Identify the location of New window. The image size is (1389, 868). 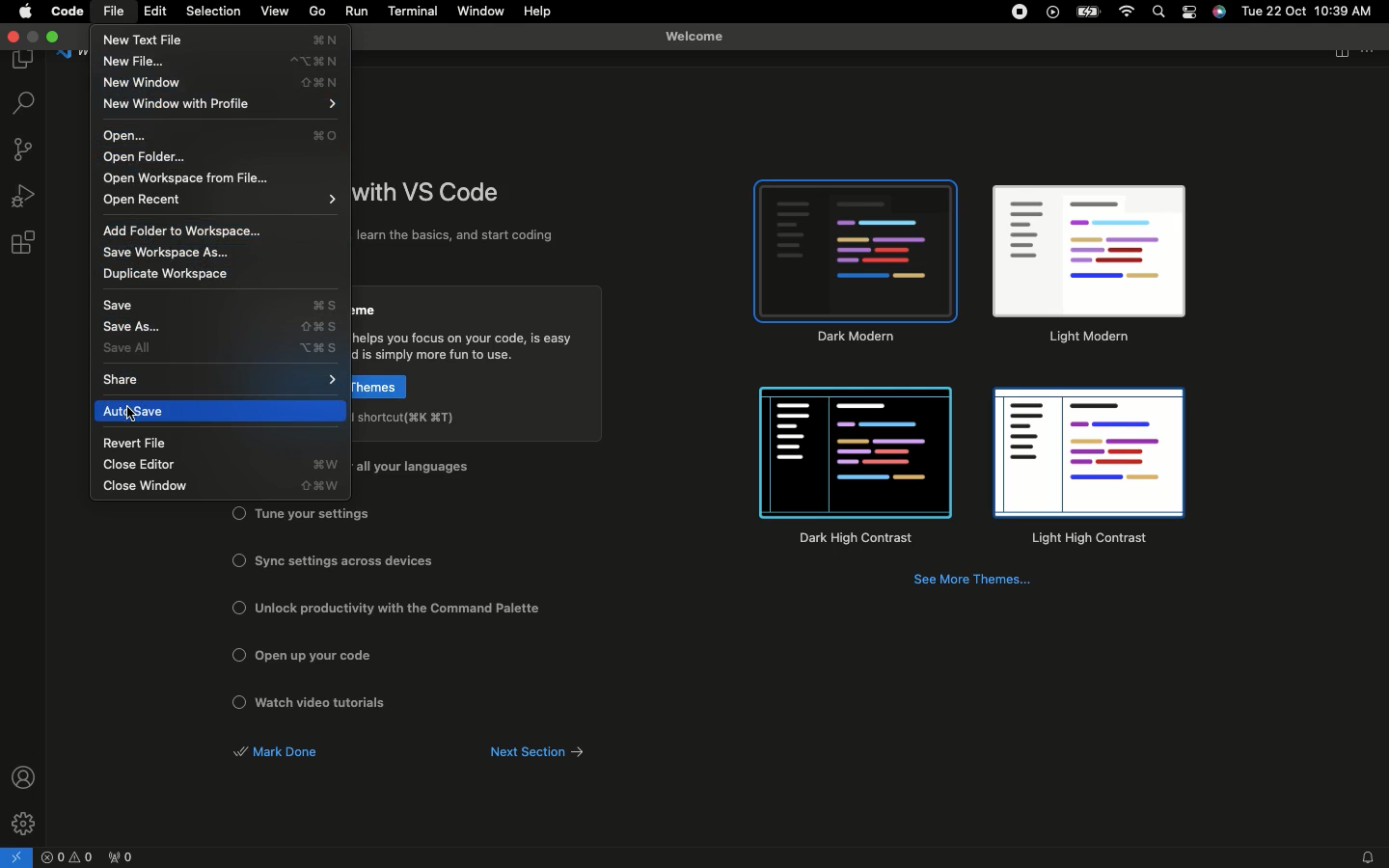
(219, 83).